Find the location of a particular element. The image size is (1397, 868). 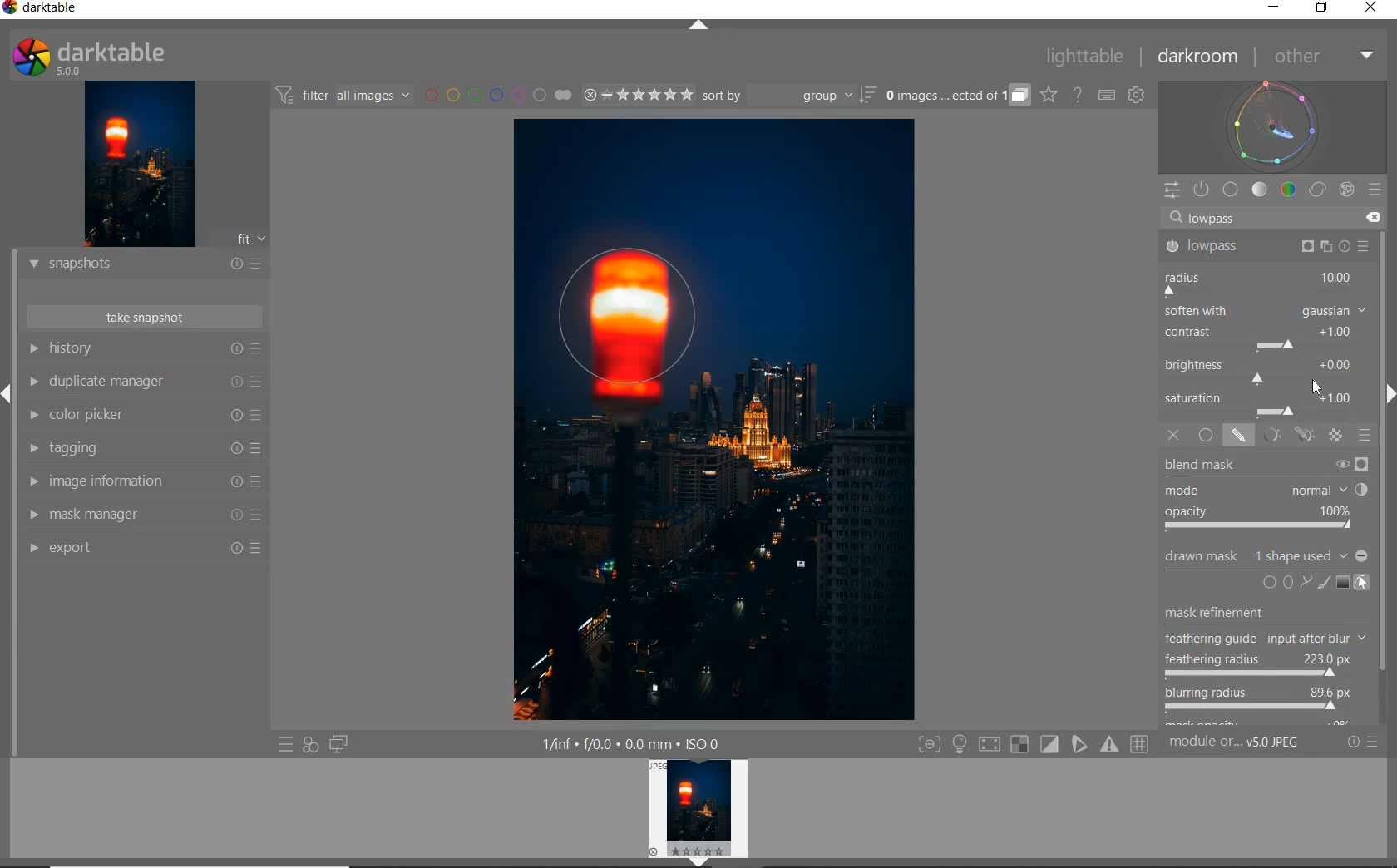

Mask refinement is located at coordinates (1216, 609).